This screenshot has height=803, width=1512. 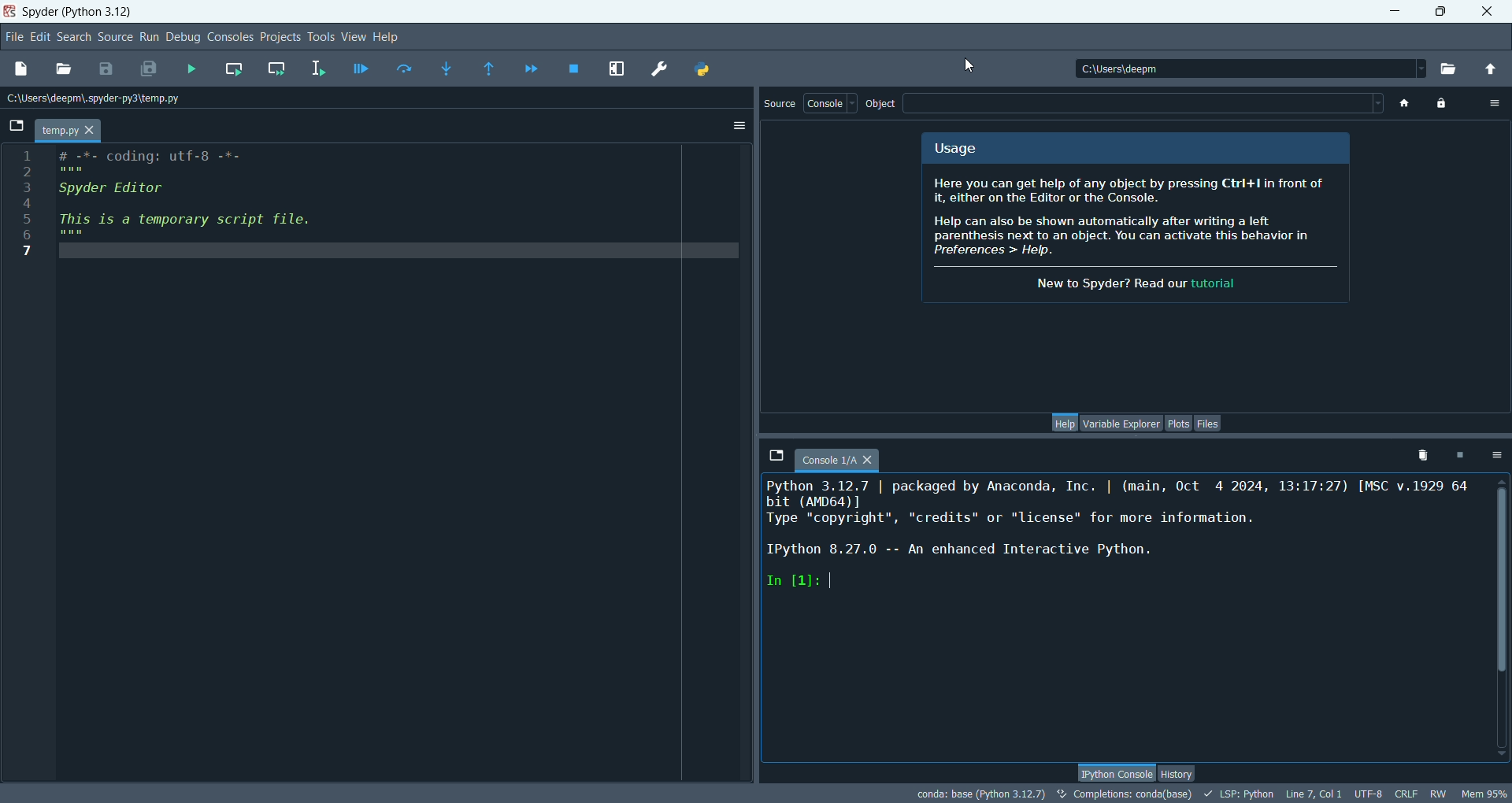 I want to click on © oe Eh [HED oe
: Spyder Editor

: This is a temporary script file.

7, so click(x=172, y=212).